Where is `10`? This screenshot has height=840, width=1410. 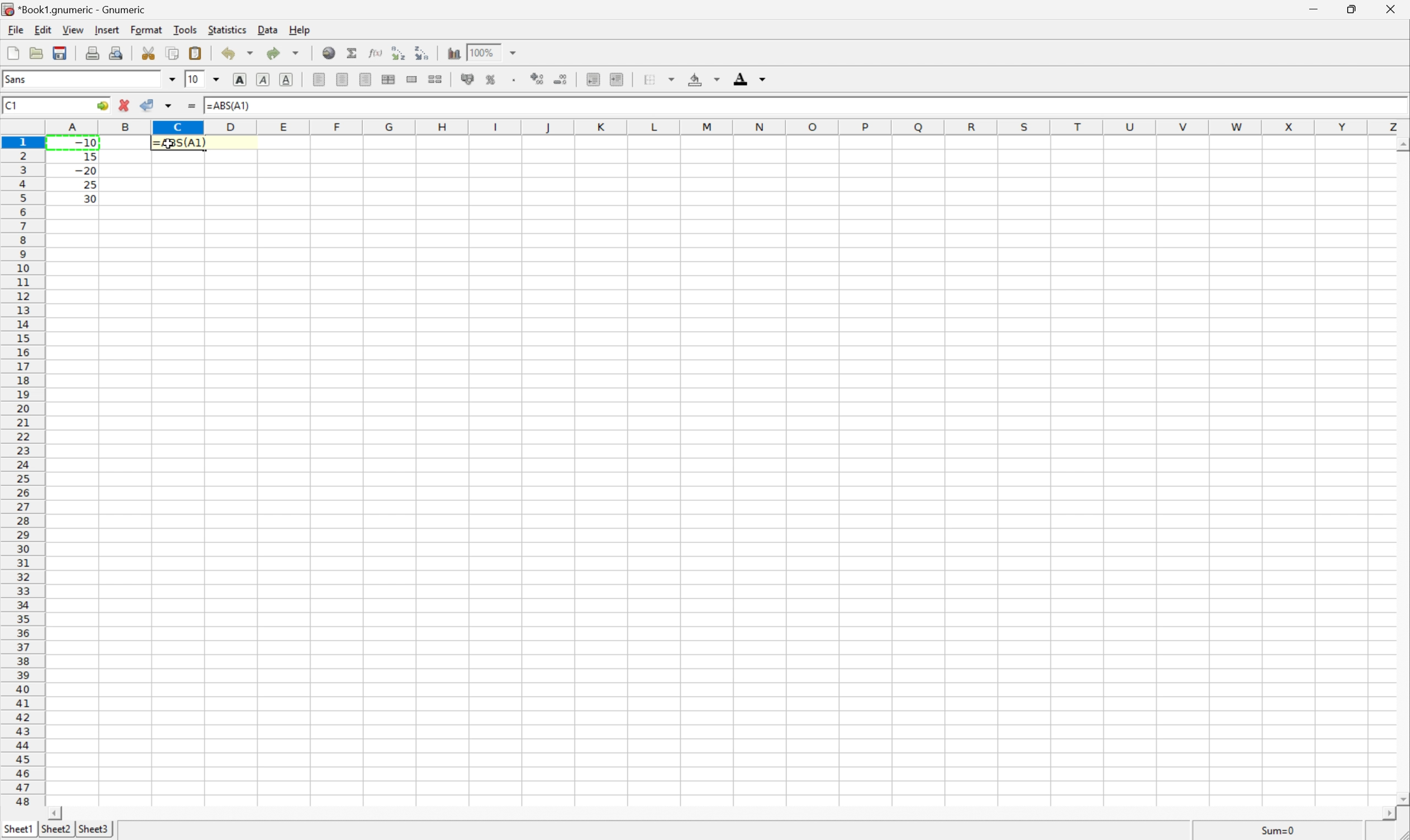
10 is located at coordinates (193, 79).